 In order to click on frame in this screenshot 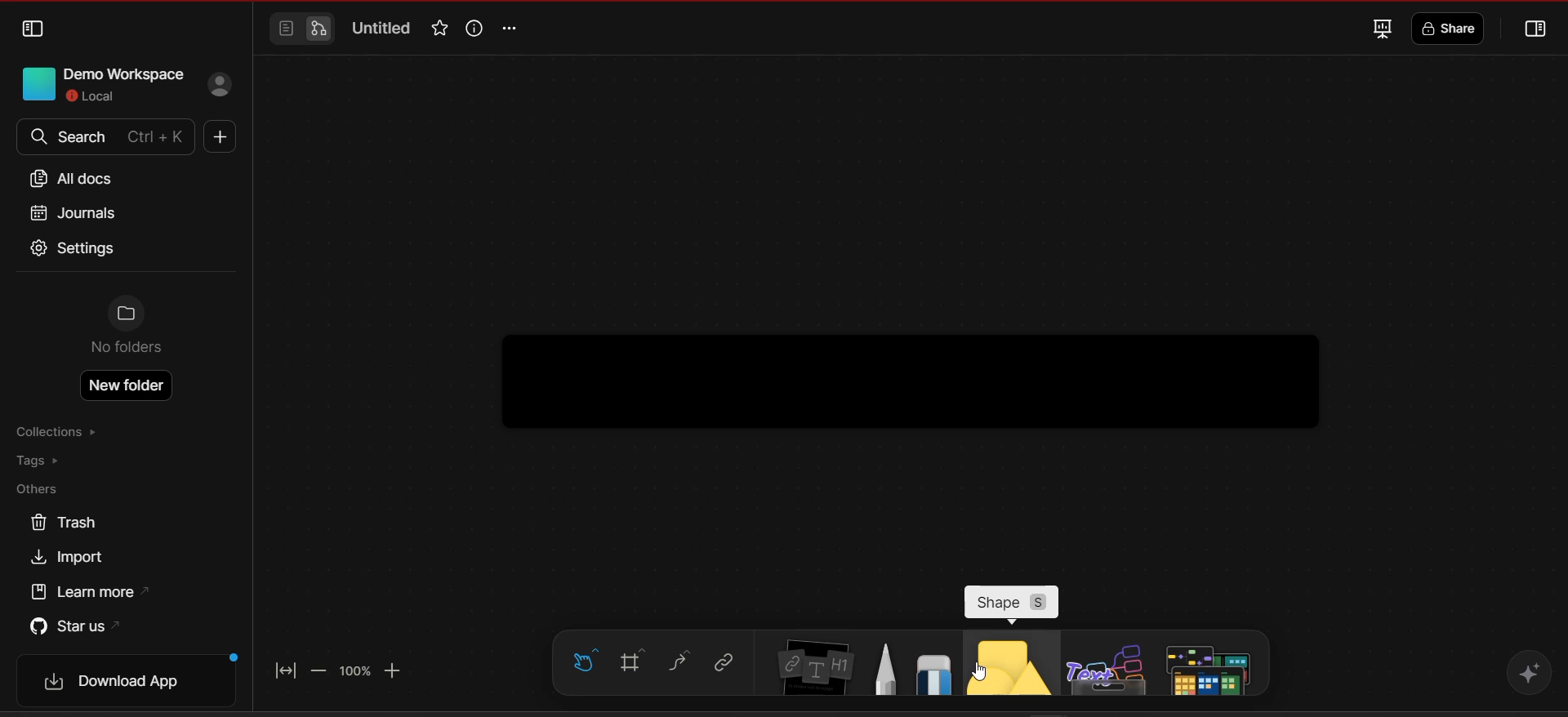, I will do `click(638, 662)`.